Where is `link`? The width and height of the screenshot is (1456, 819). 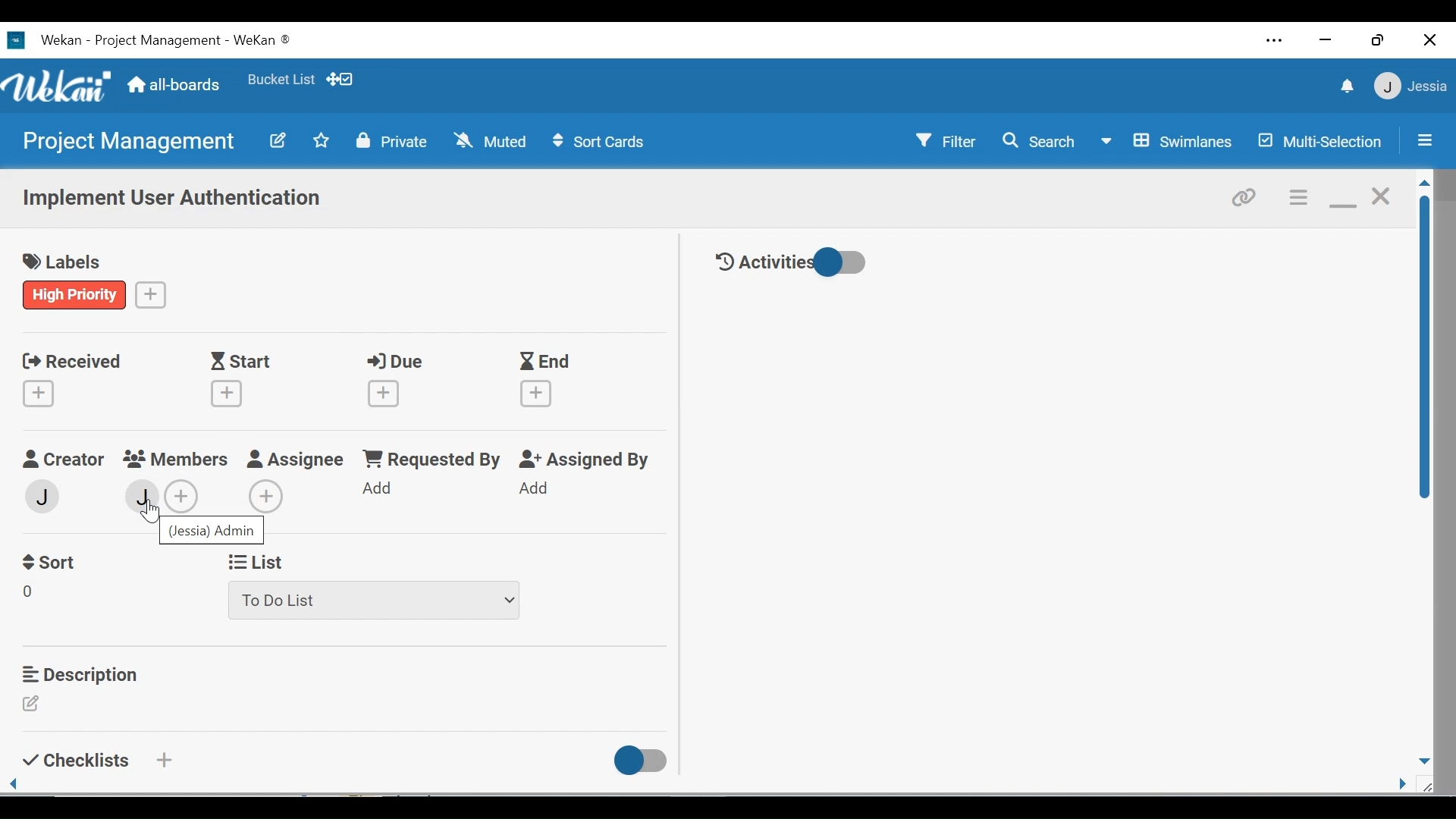 link is located at coordinates (1247, 196).